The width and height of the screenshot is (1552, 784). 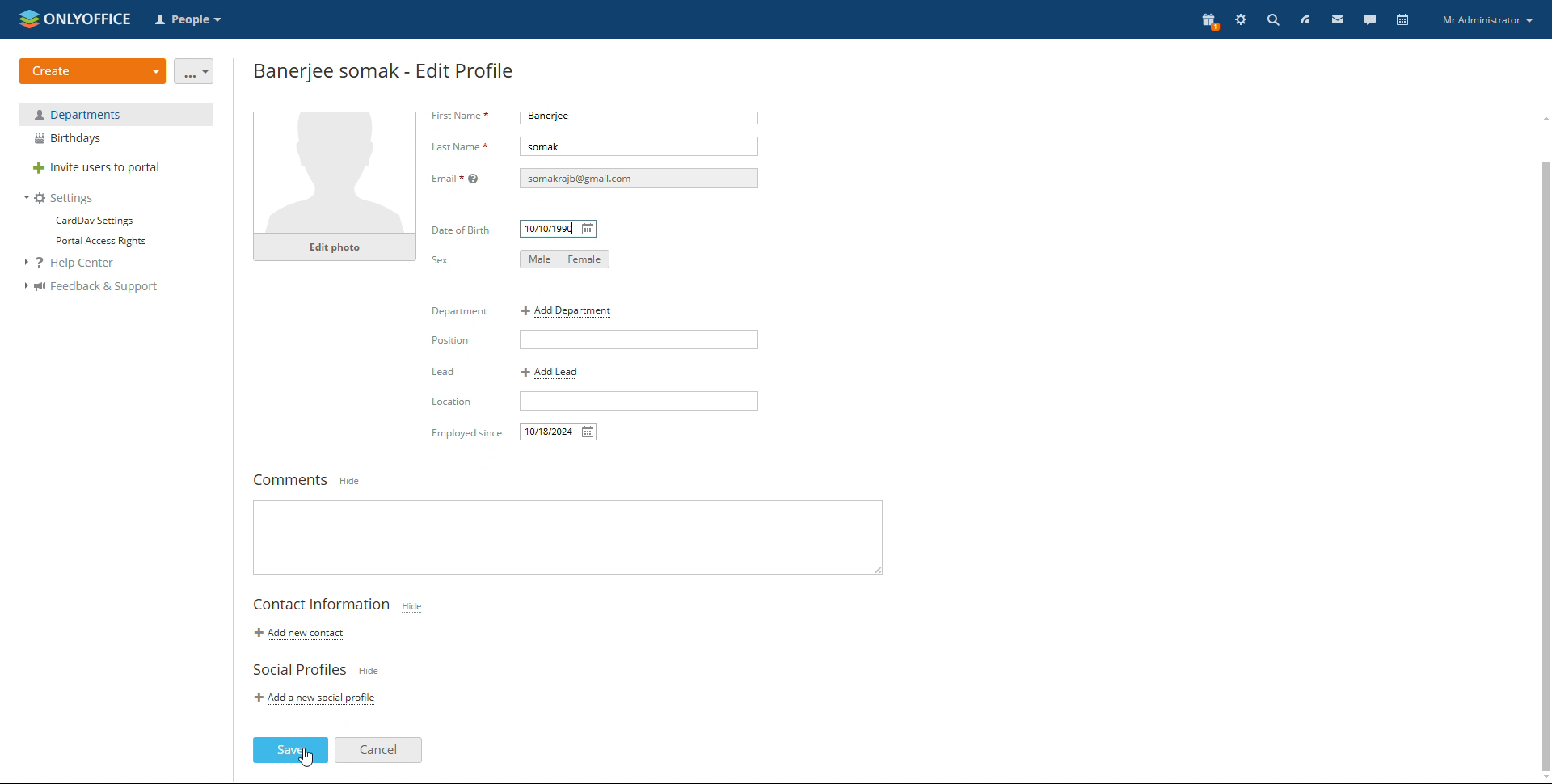 What do you see at coordinates (569, 535) in the screenshot?
I see `write comments` at bounding box center [569, 535].